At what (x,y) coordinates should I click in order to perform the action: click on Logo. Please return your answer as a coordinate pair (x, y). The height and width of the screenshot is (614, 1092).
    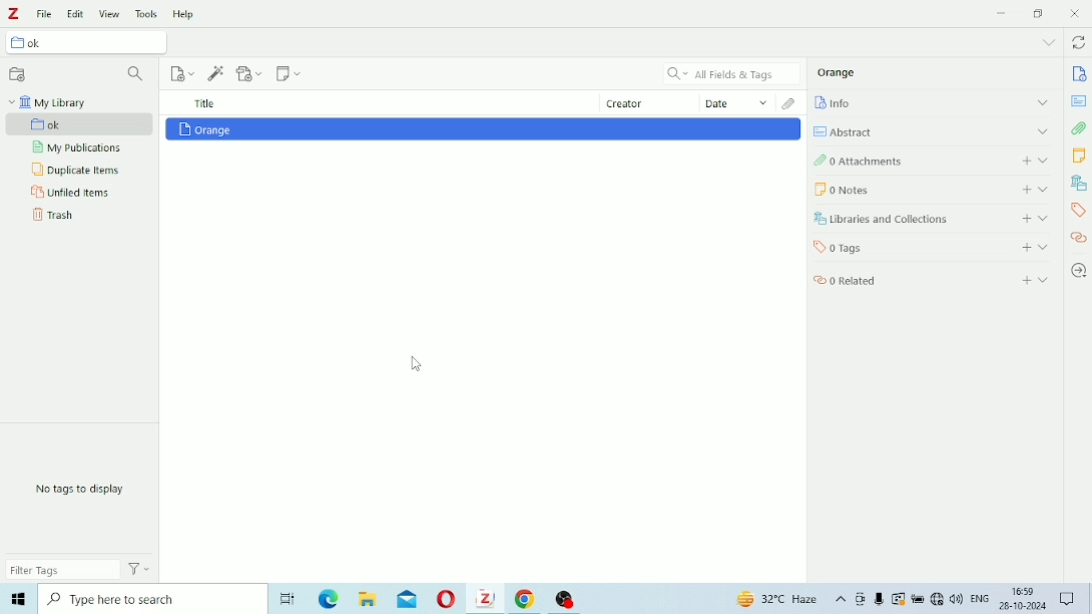
    Looking at the image, I should click on (14, 14).